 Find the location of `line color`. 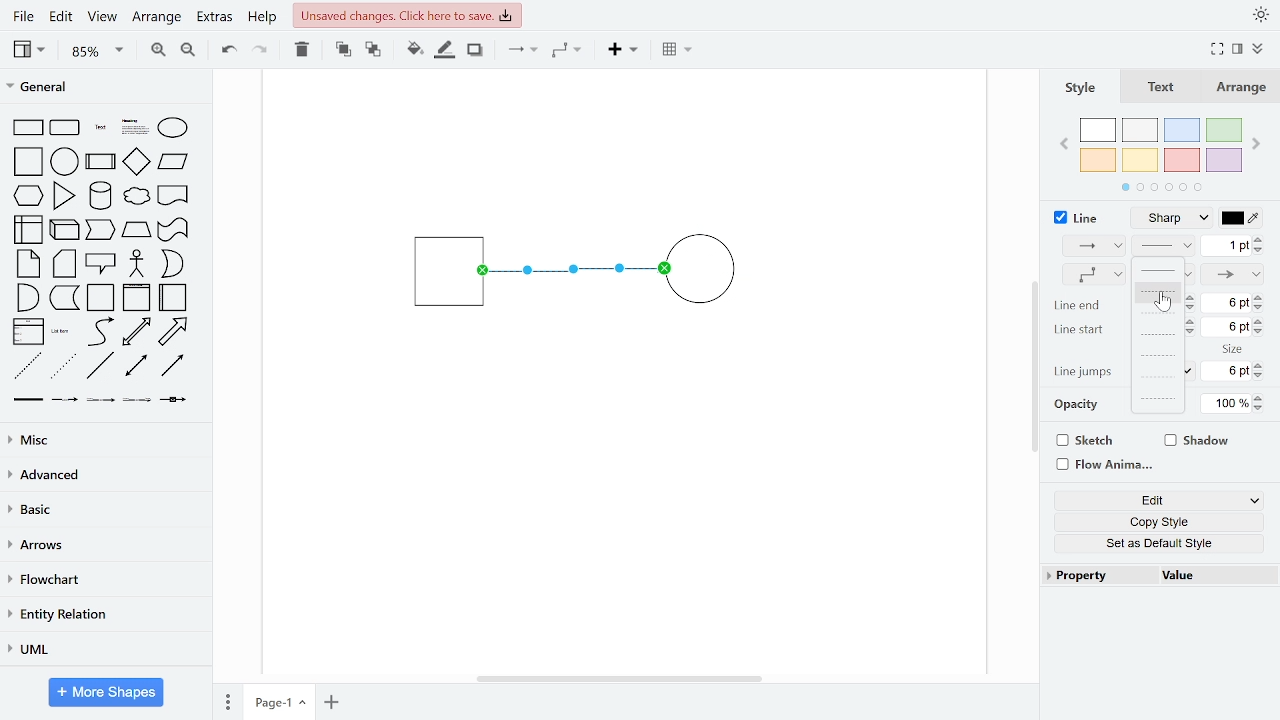

line color is located at coordinates (1241, 218).